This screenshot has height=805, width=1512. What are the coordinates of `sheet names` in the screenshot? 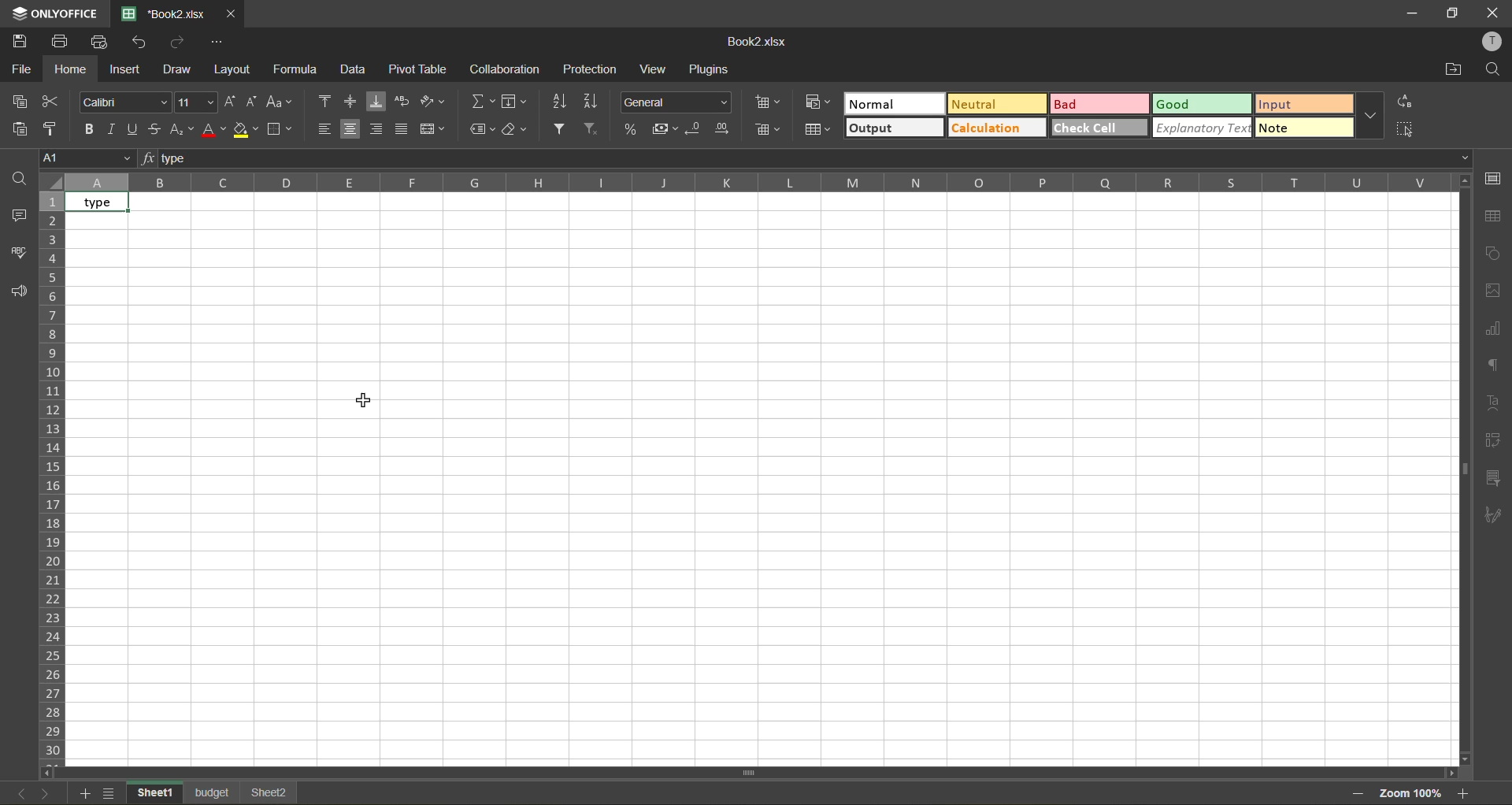 It's located at (216, 793).